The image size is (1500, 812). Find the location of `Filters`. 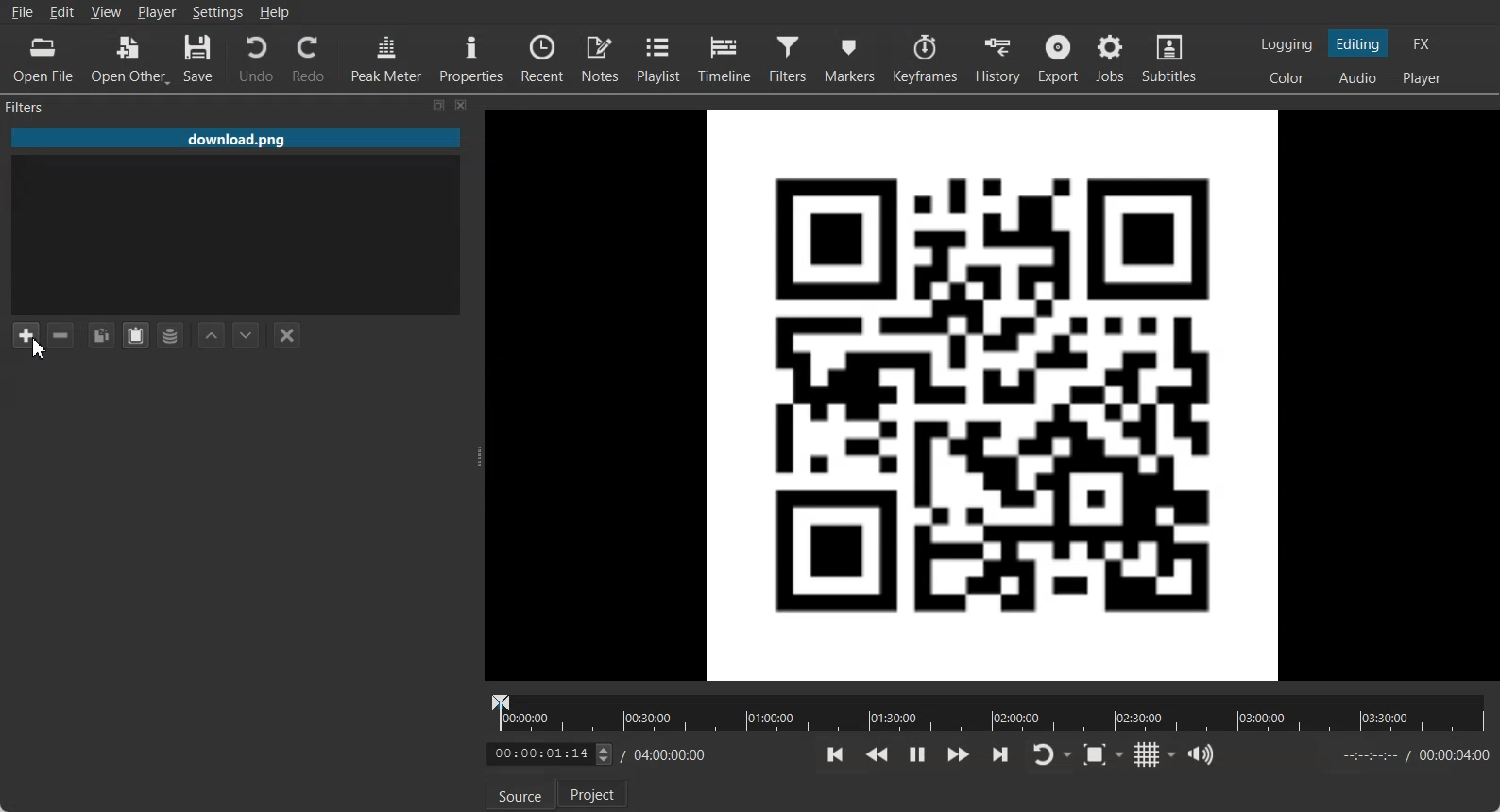

Filters is located at coordinates (43, 106).